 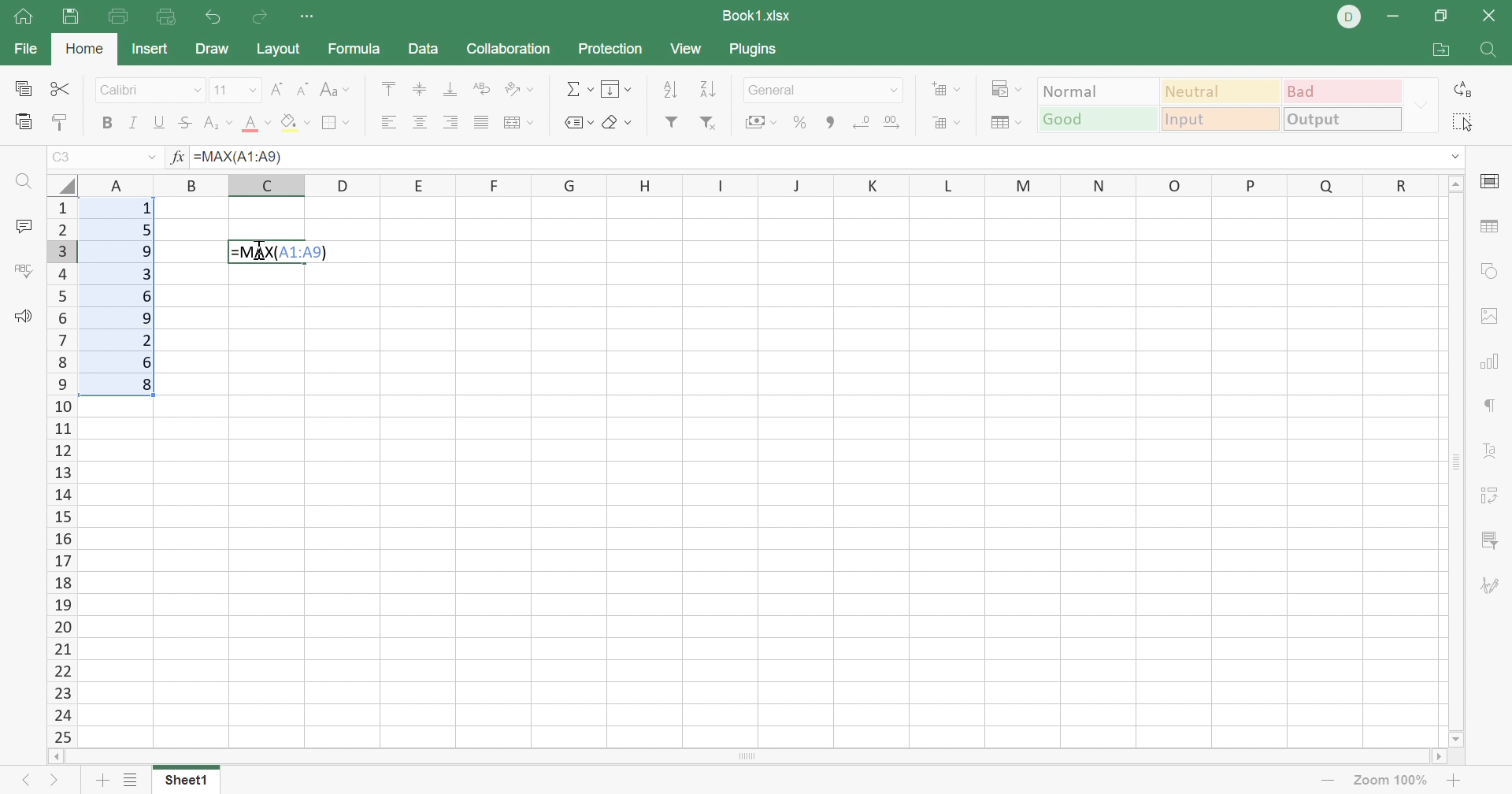 I want to click on Find, so click(x=24, y=184).